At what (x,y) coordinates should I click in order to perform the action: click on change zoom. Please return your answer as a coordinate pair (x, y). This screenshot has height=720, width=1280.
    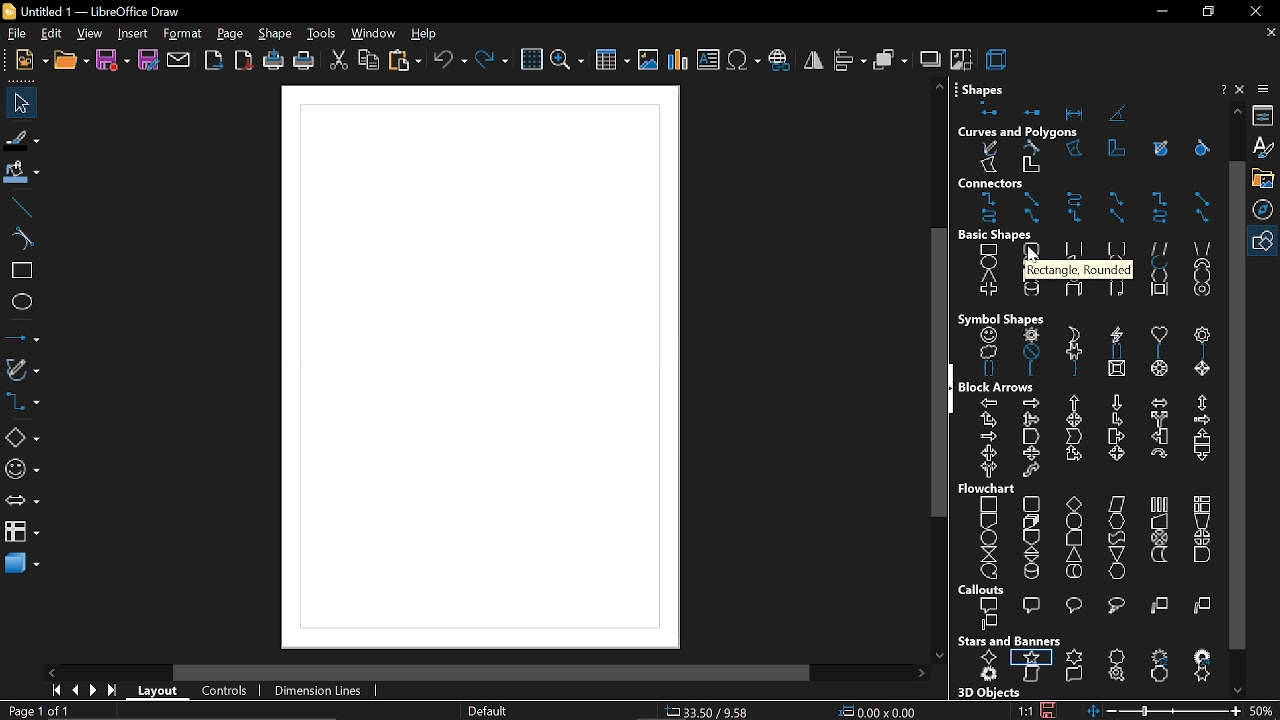
    Looking at the image, I should click on (1162, 711).